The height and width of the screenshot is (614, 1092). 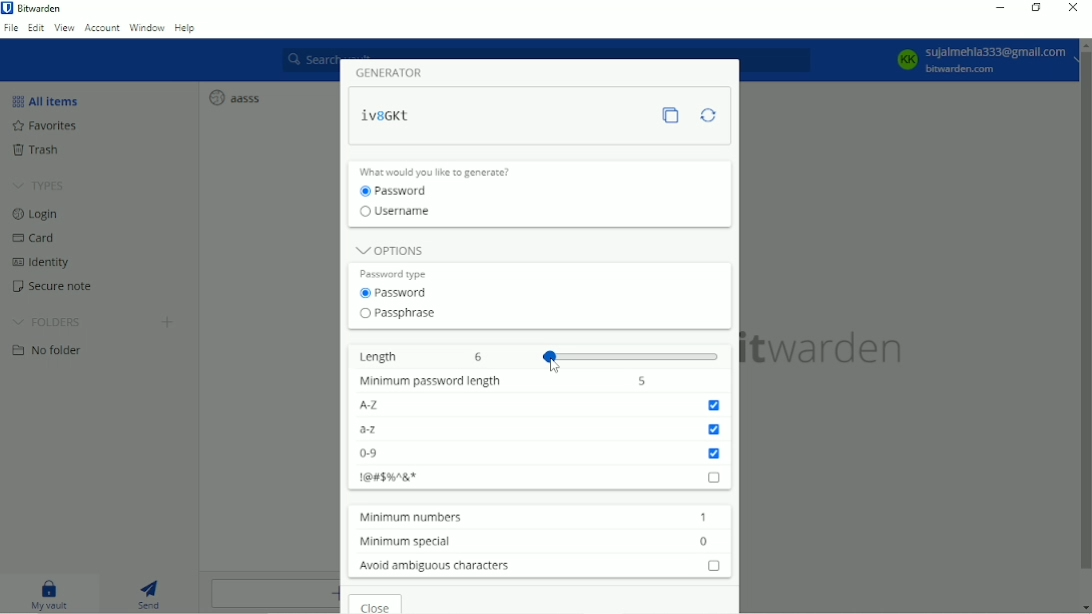 I want to click on Avoid ambiguous characters, so click(x=537, y=565).